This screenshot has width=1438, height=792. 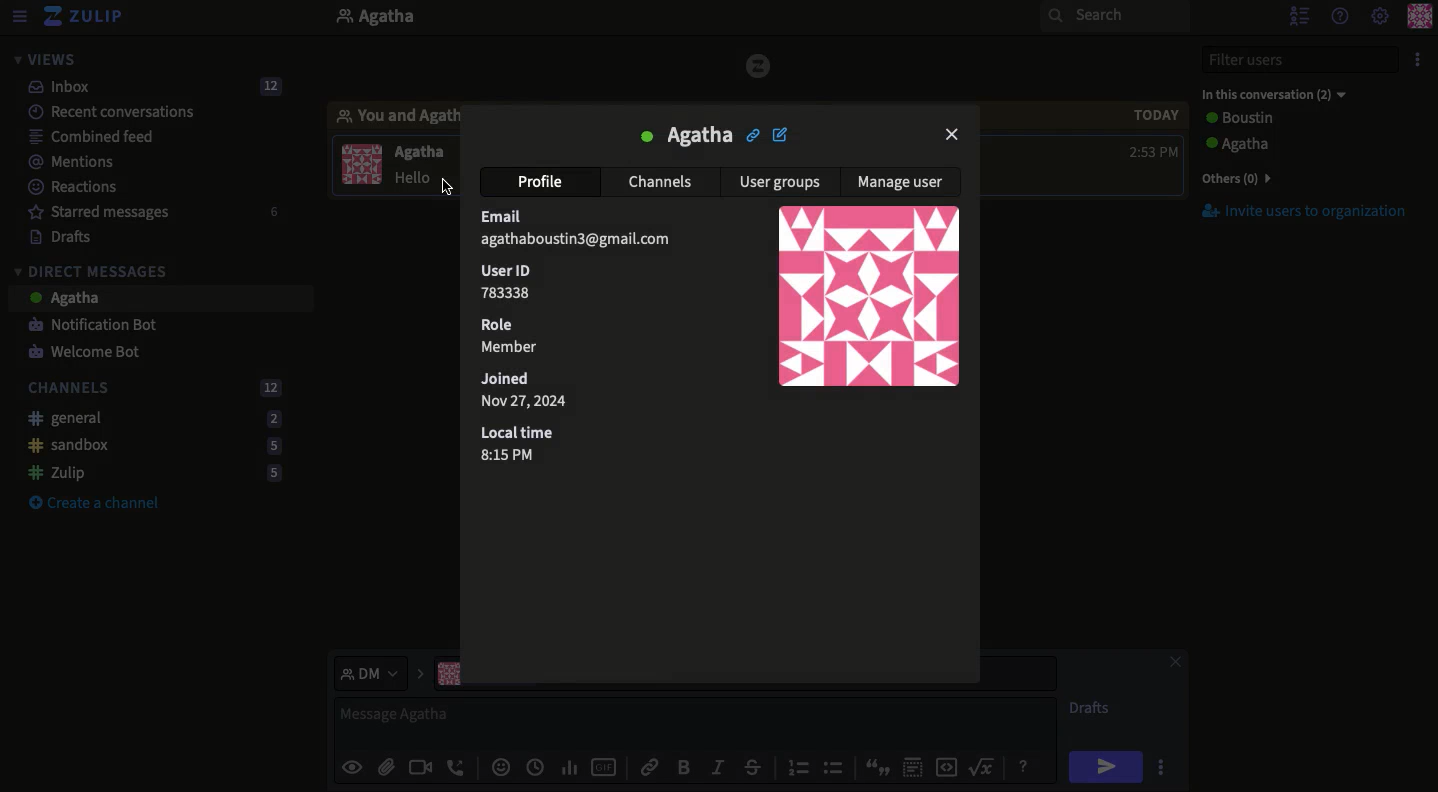 What do you see at coordinates (1104, 766) in the screenshot?
I see `Send` at bounding box center [1104, 766].